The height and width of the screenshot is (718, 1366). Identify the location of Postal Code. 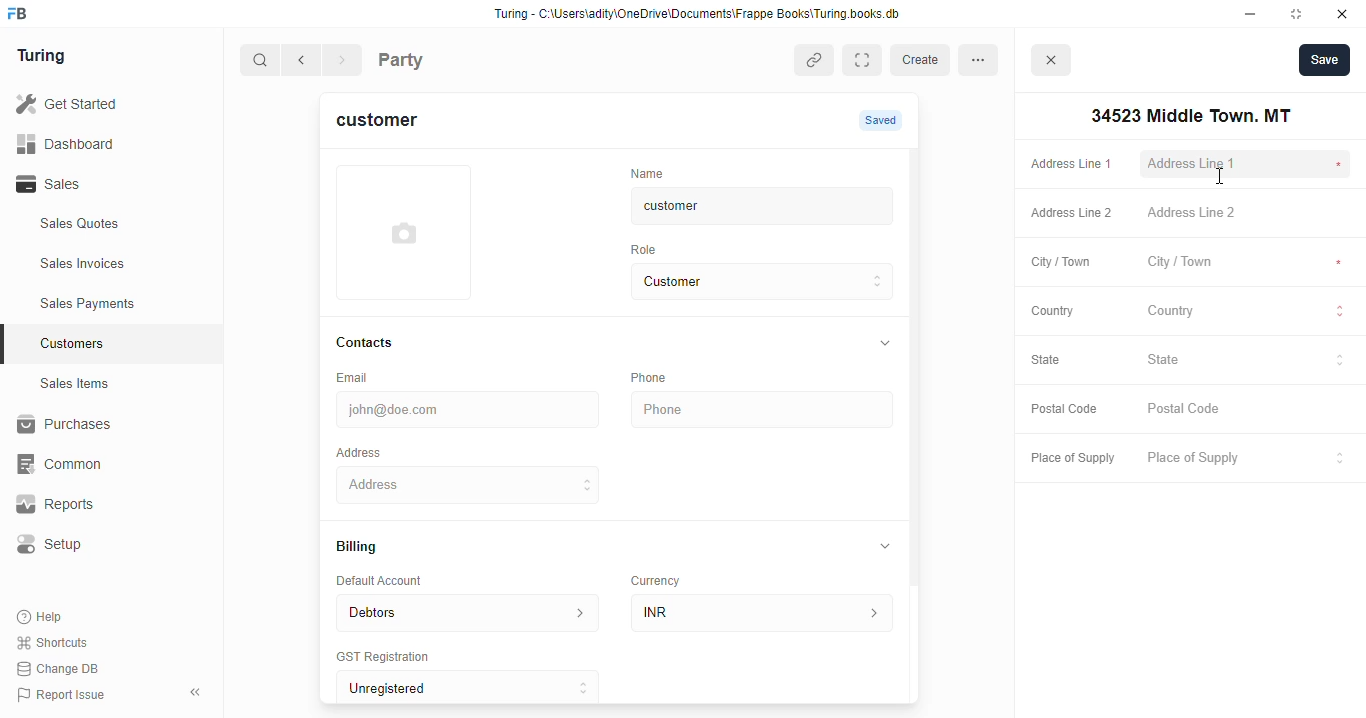
(1247, 410).